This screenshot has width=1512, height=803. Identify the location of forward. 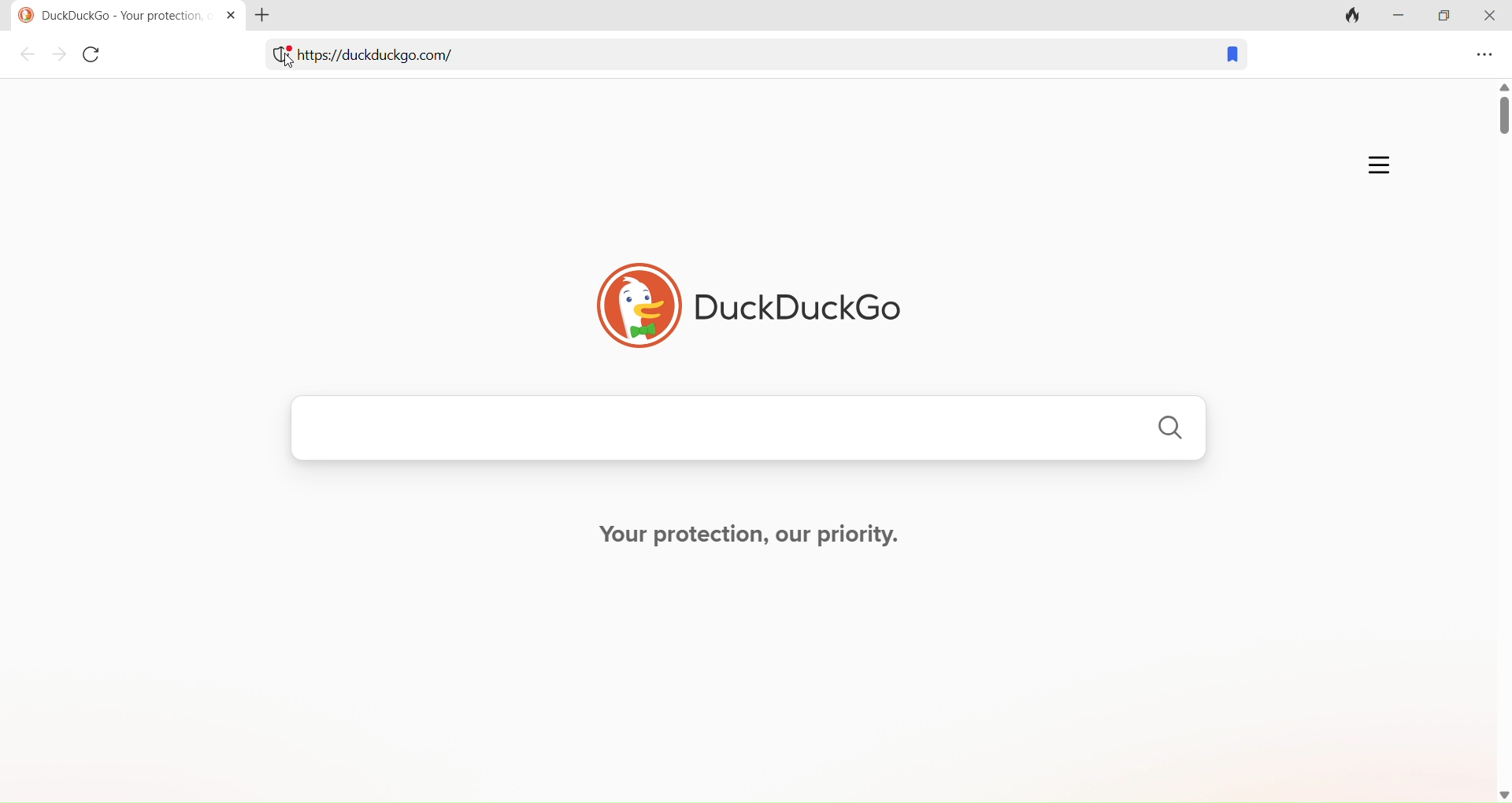
(59, 57).